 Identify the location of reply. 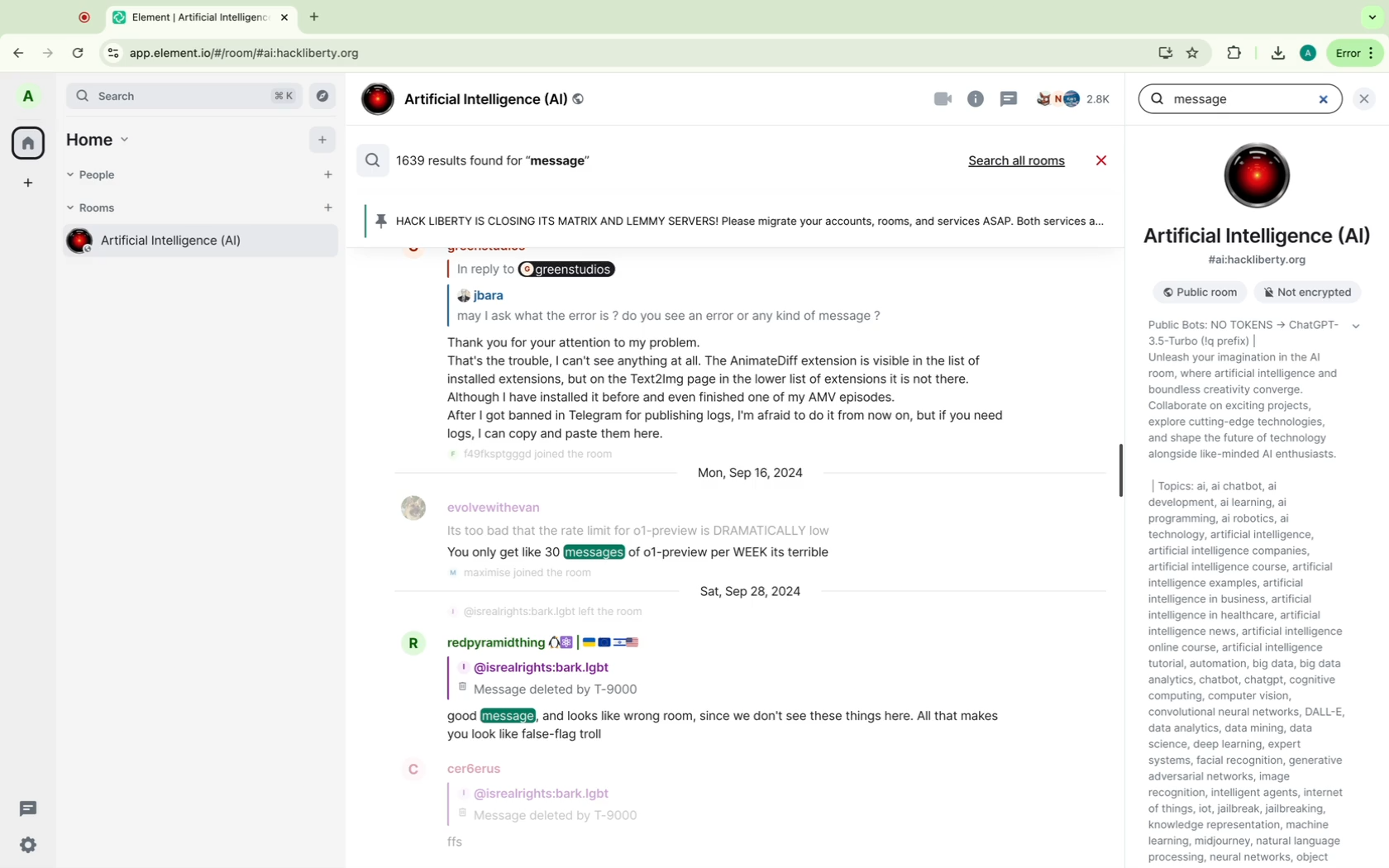
(538, 270).